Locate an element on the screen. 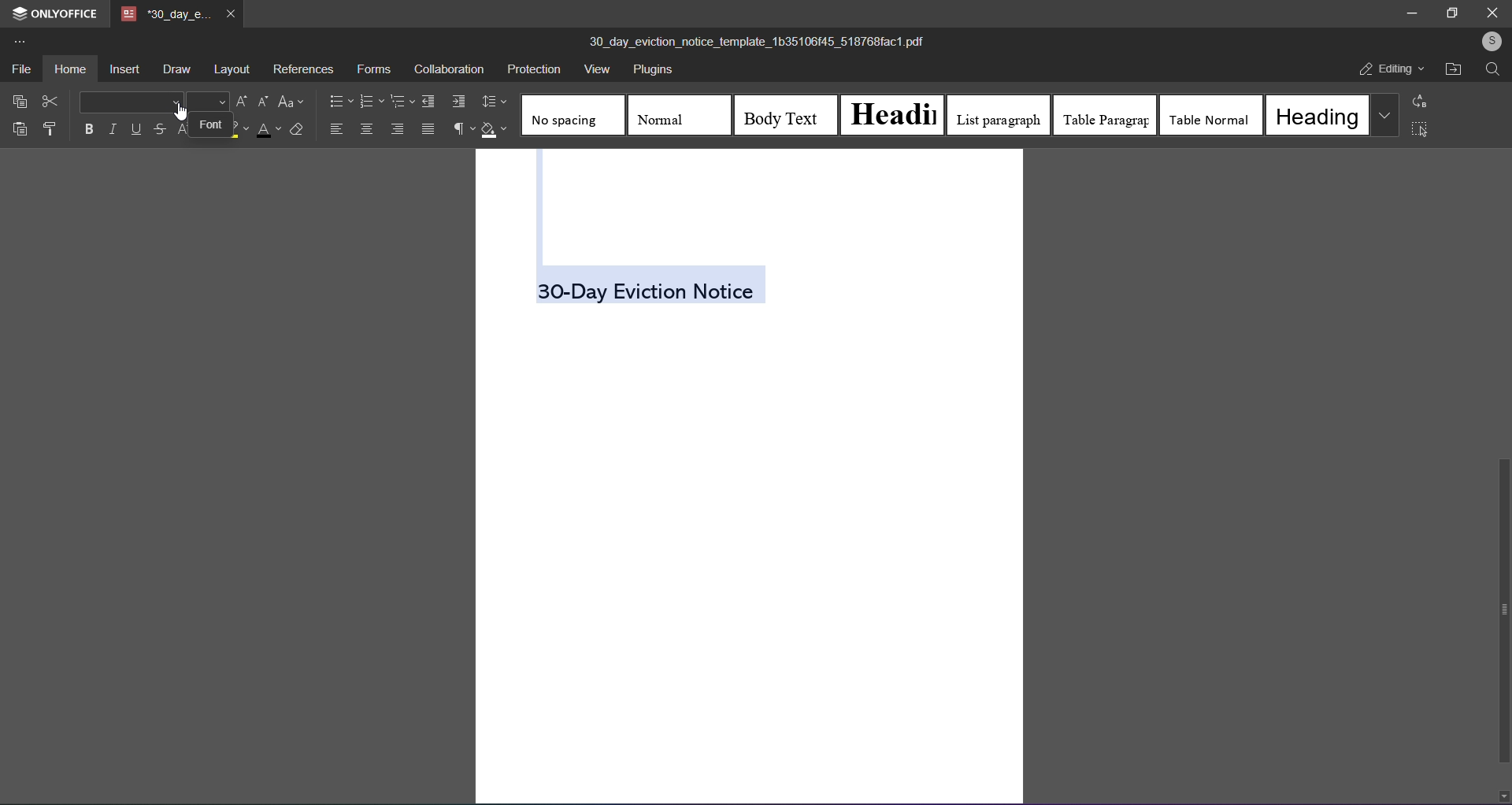 The image size is (1512, 805). no spacing is located at coordinates (572, 117).